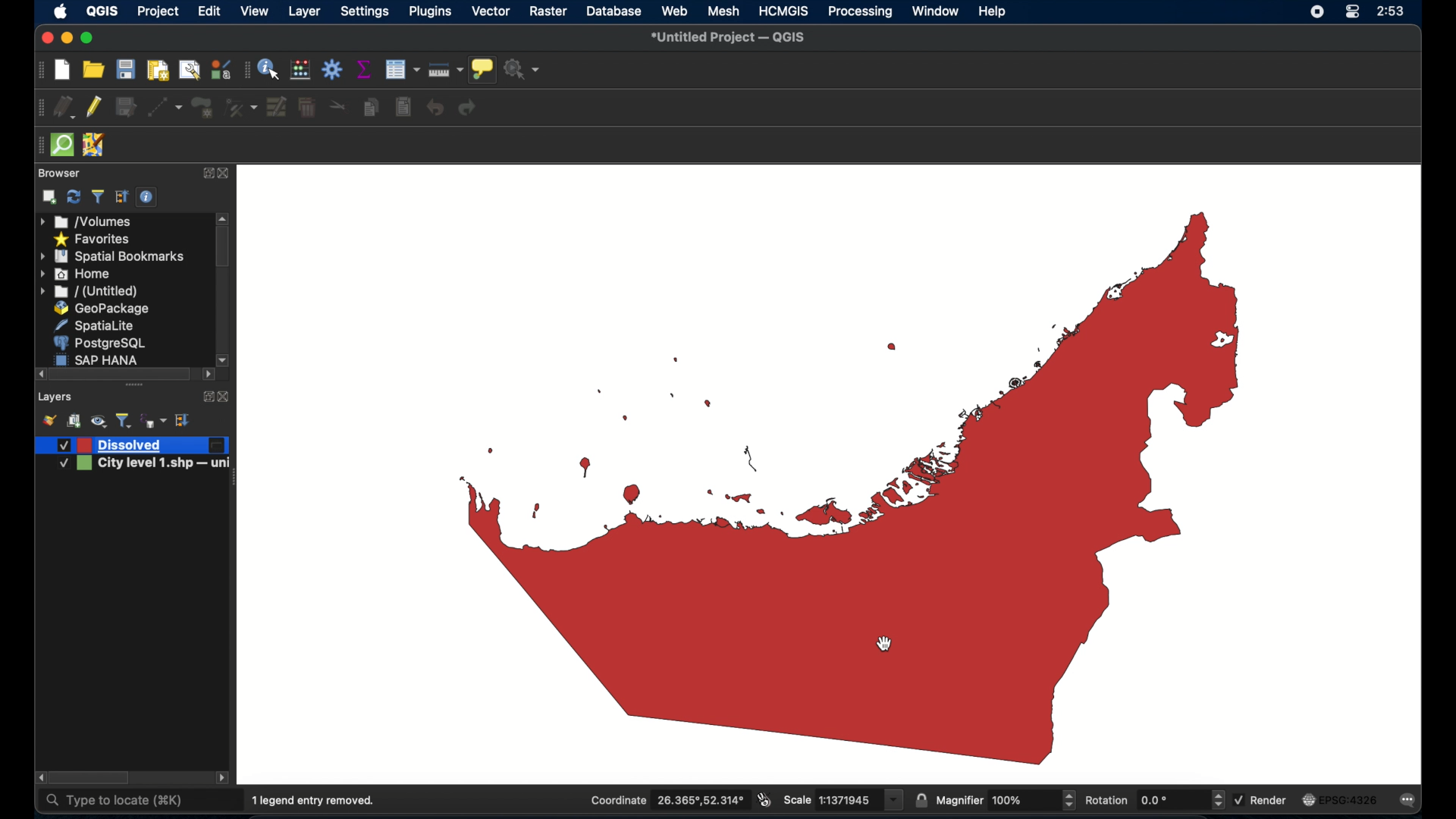  Describe the element at coordinates (667, 800) in the screenshot. I see `coordinate` at that location.